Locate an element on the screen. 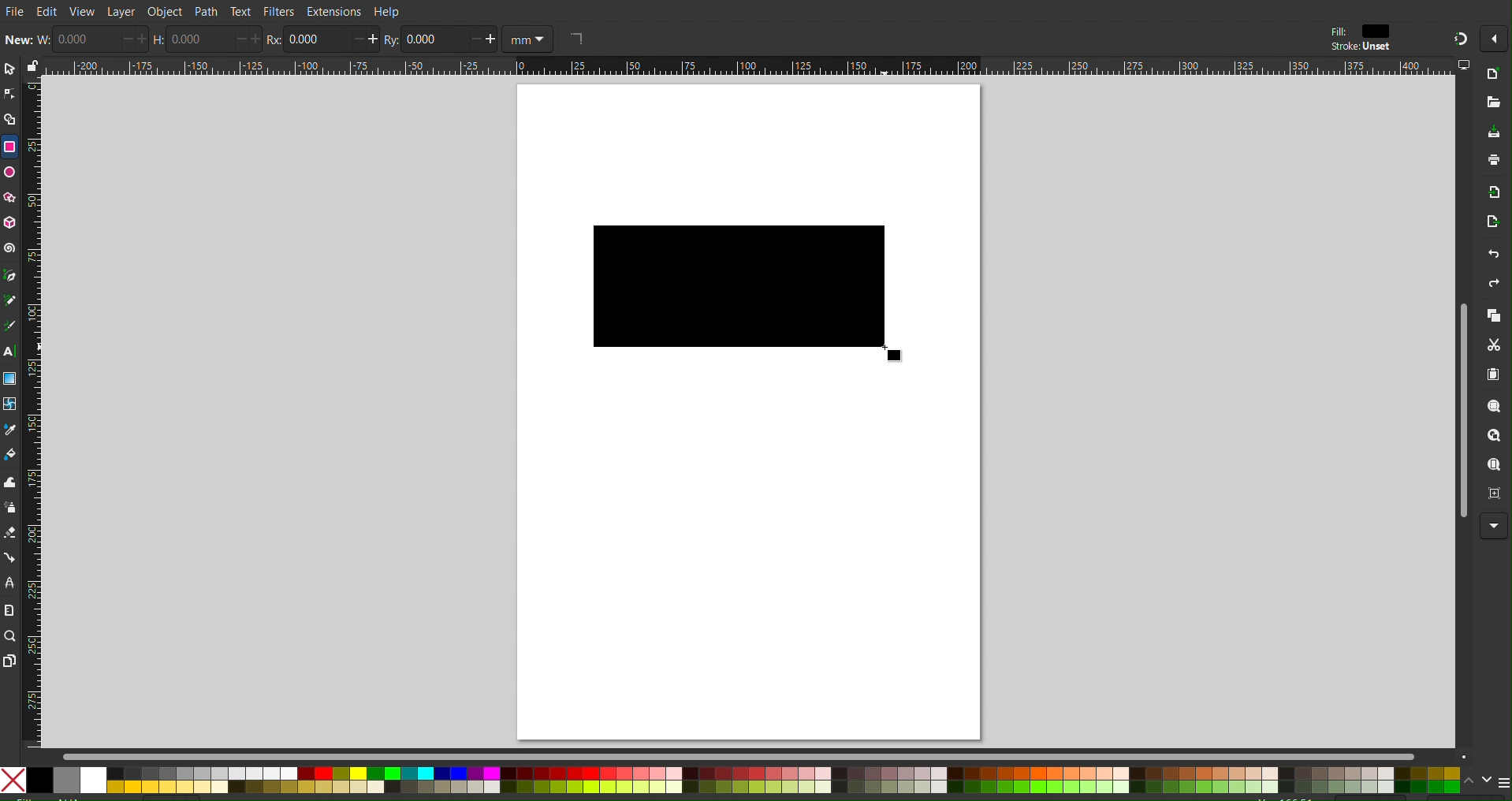 The image size is (1512, 801). Zoom Page Center is located at coordinates (1494, 495).